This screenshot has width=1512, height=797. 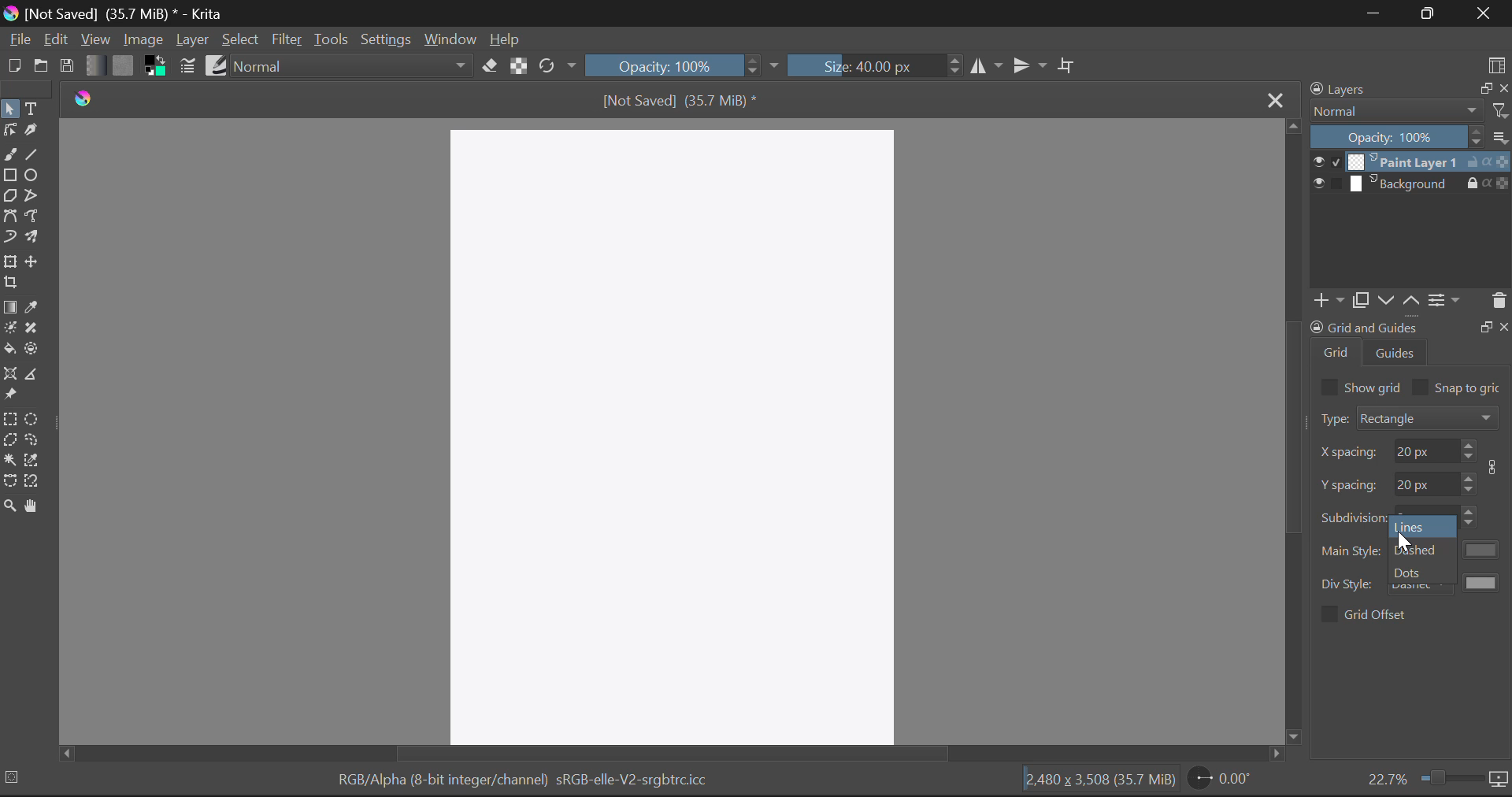 I want to click on Calligraphic Tool, so click(x=34, y=134).